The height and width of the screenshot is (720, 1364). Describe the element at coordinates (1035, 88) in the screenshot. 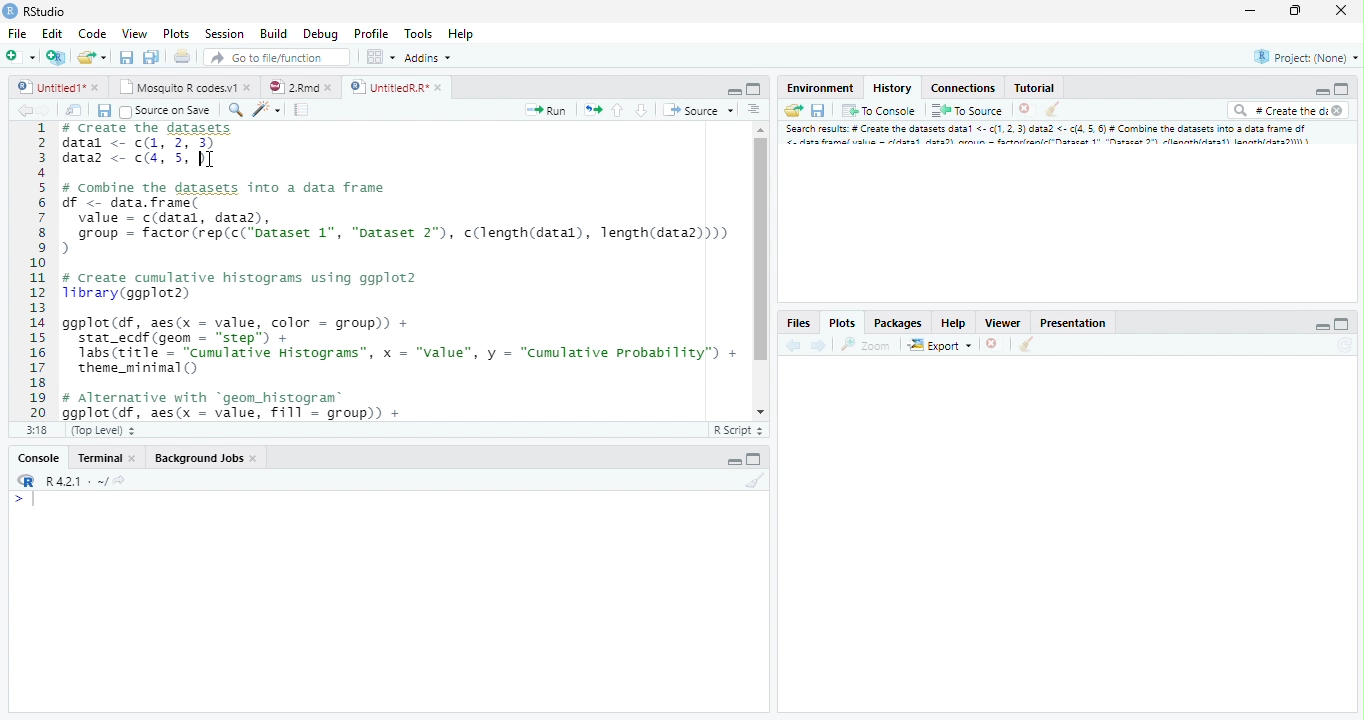

I see `Tutorial` at that location.